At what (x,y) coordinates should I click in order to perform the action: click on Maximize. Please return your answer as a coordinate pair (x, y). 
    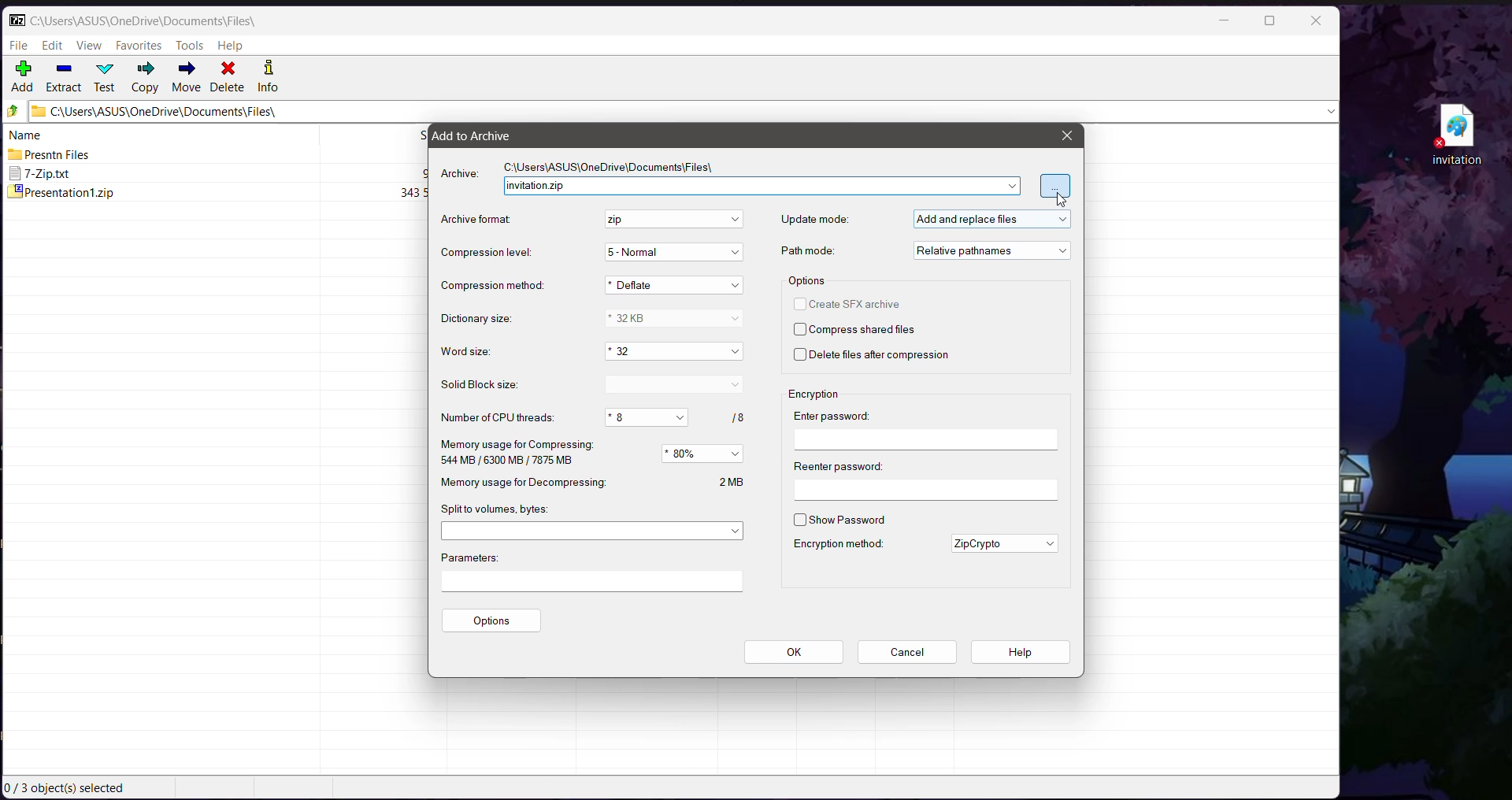
    Looking at the image, I should click on (1269, 22).